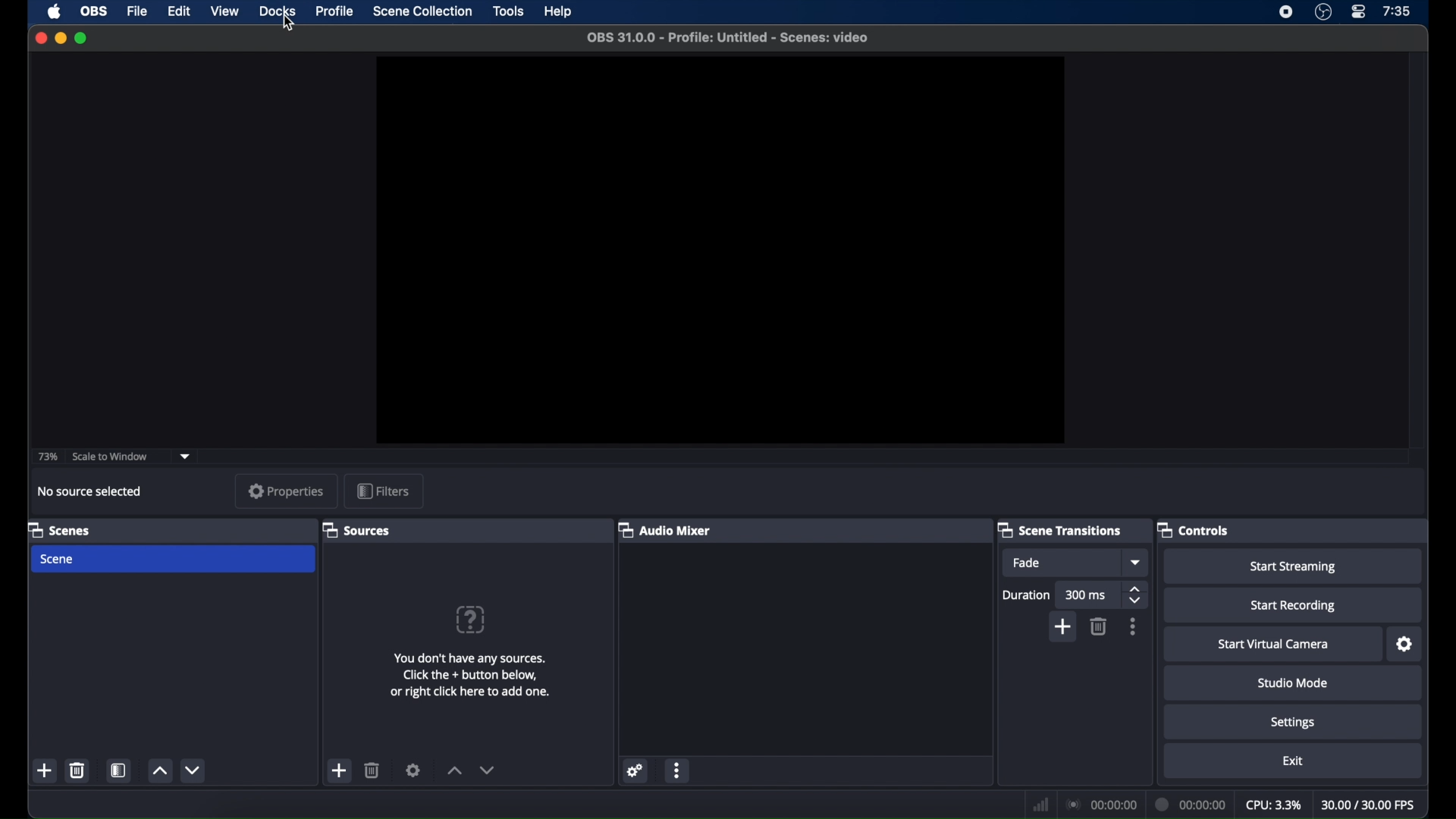 The image size is (1456, 819). What do you see at coordinates (1100, 626) in the screenshot?
I see `delete` at bounding box center [1100, 626].